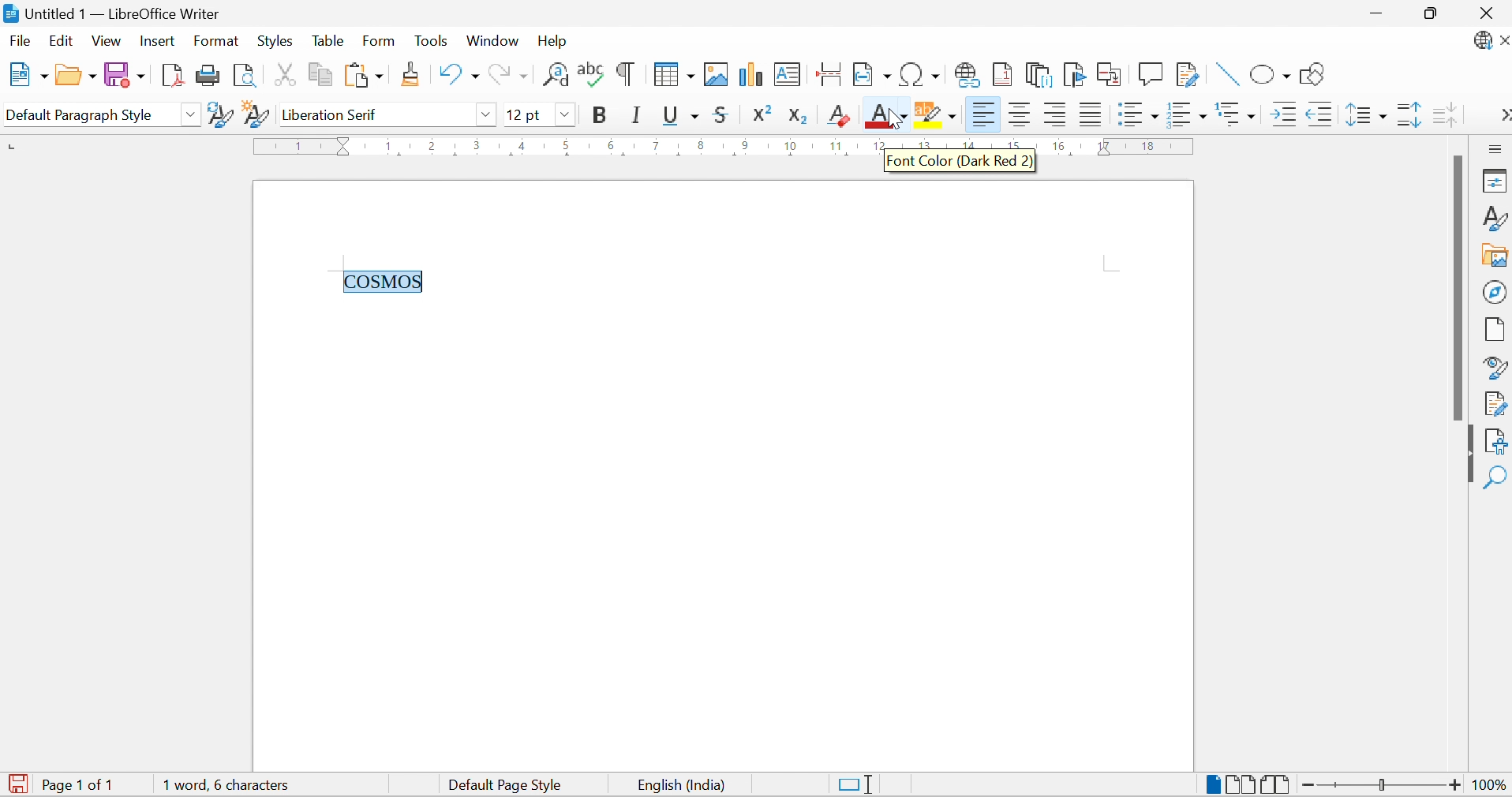 The image size is (1512, 797). What do you see at coordinates (380, 40) in the screenshot?
I see `Form` at bounding box center [380, 40].